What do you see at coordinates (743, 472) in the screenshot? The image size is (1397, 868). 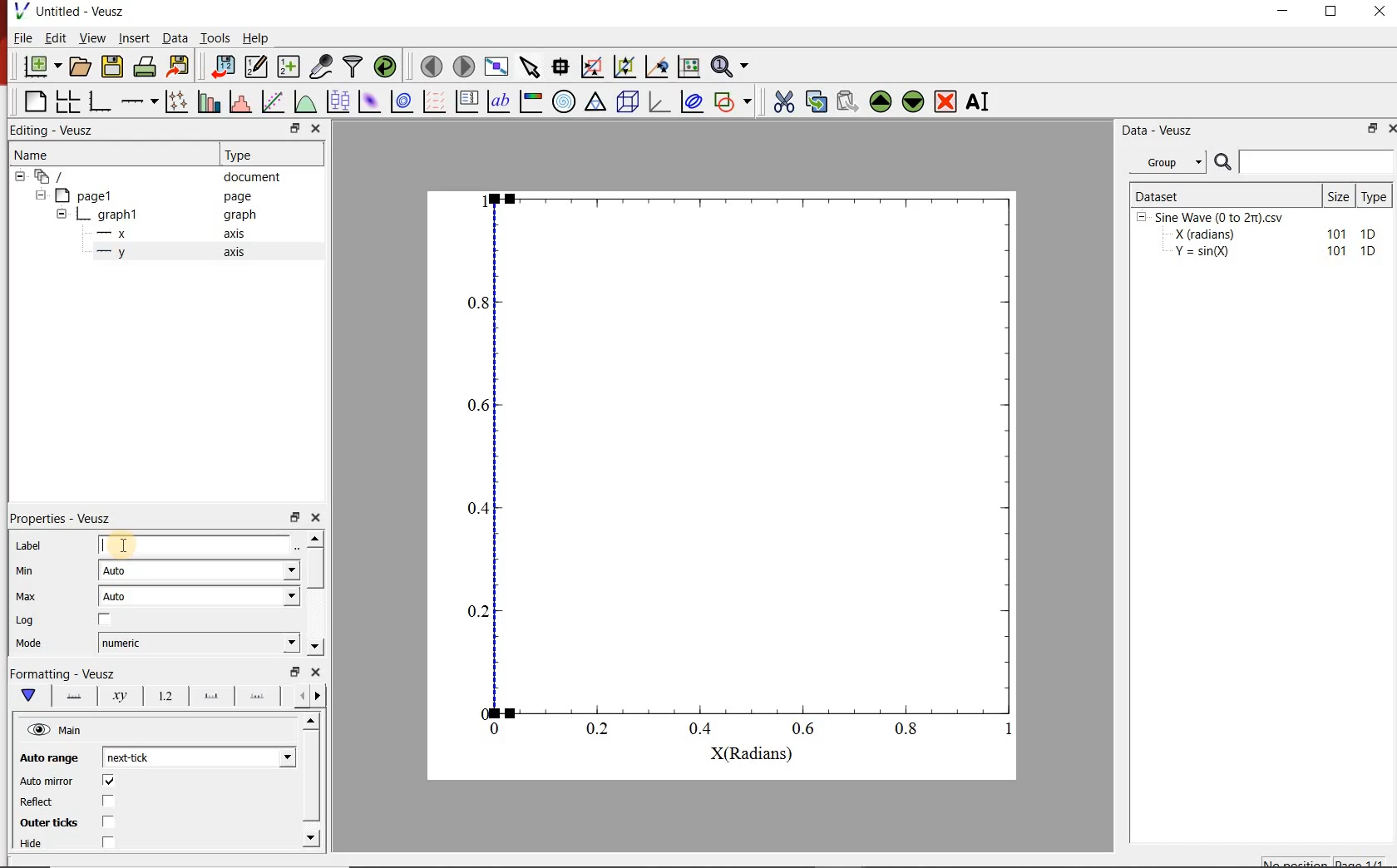 I see `BS —
0.8
0.6
0.4
0.2
0 0.2 0.4 0.6 0.8 1` at bounding box center [743, 472].